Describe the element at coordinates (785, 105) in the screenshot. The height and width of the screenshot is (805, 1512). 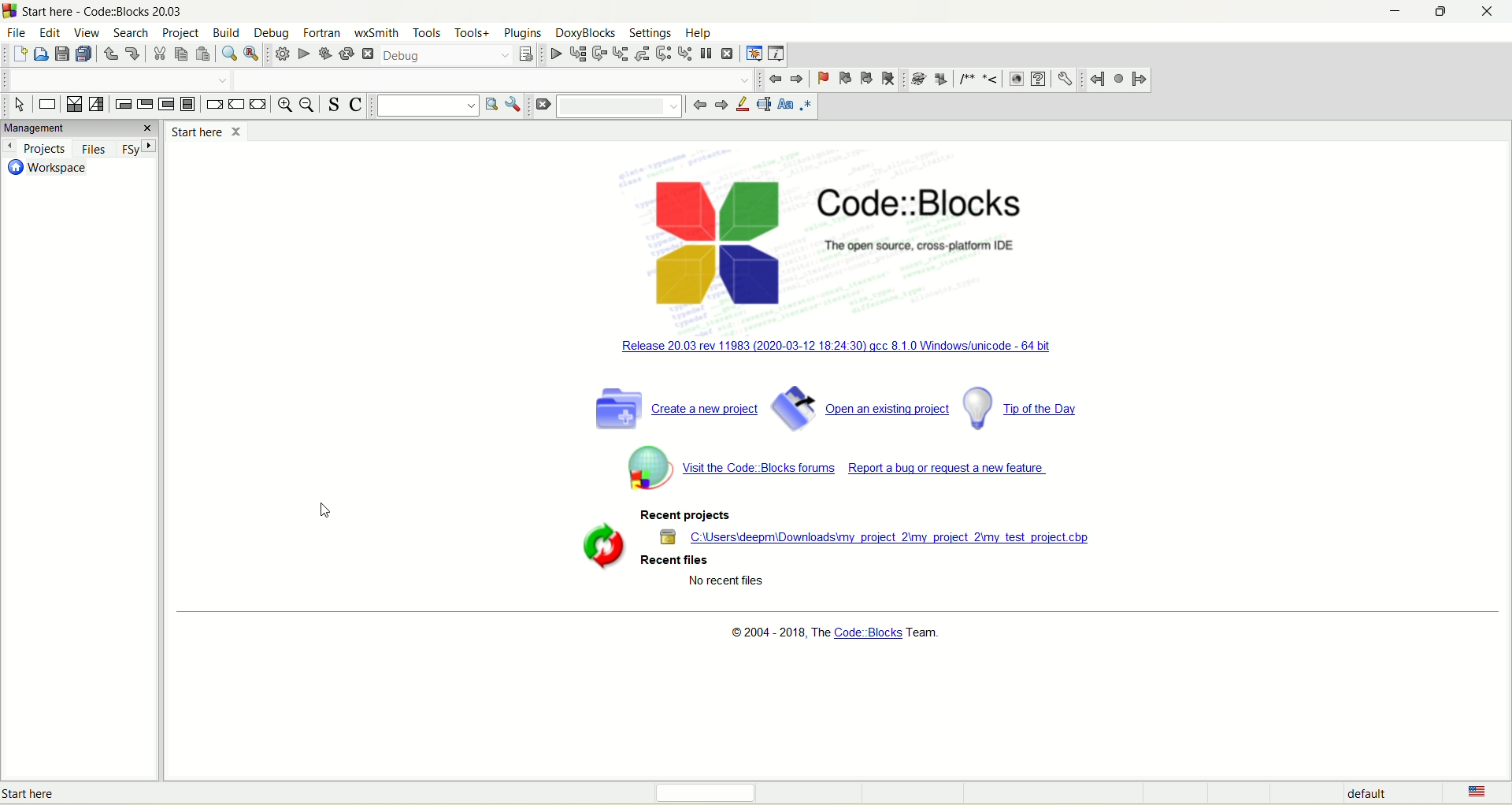
I see `match case` at that location.